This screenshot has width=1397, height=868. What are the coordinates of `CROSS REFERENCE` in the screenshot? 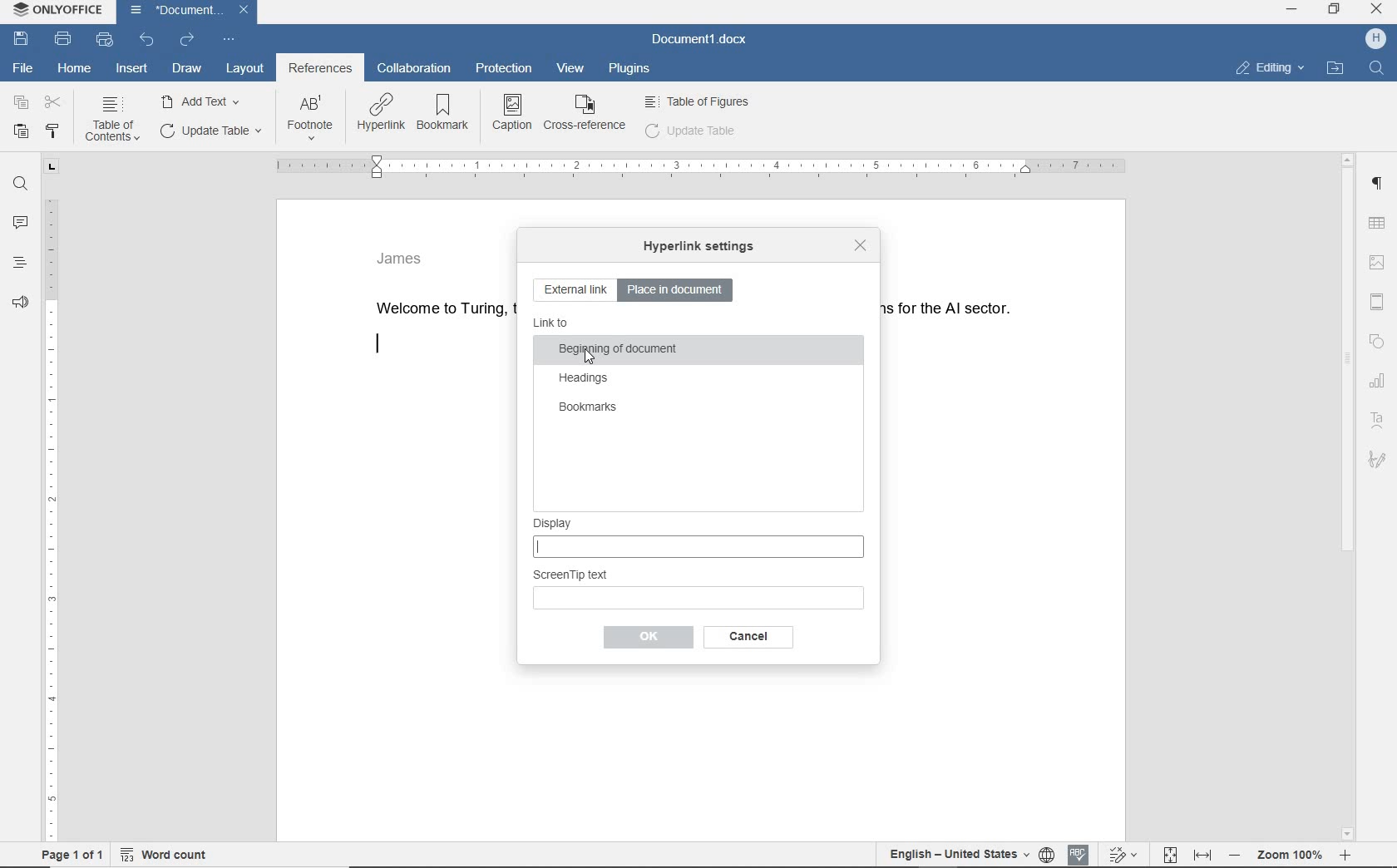 It's located at (585, 112).